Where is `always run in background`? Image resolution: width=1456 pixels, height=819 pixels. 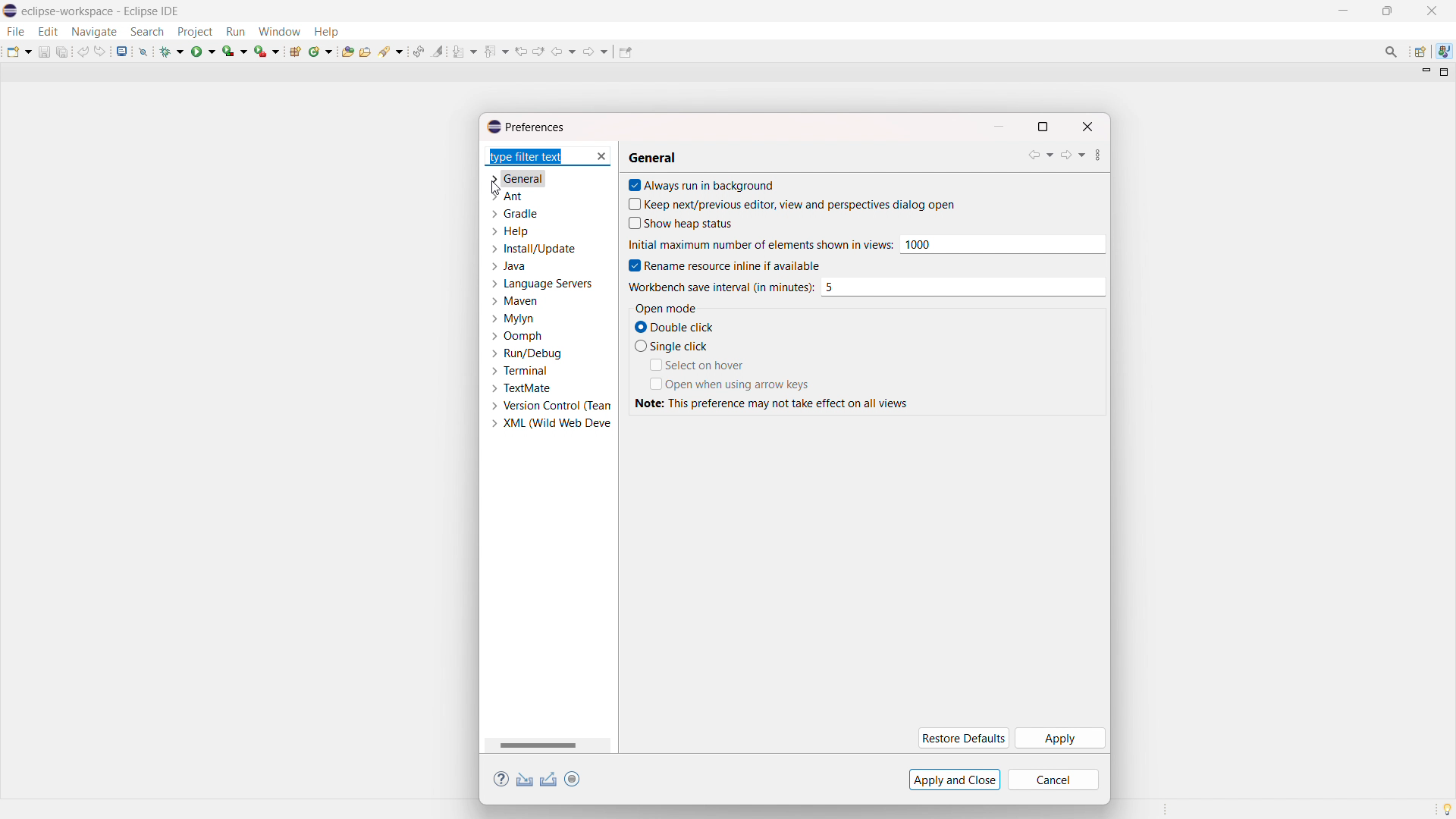 always run in background is located at coordinates (711, 184).